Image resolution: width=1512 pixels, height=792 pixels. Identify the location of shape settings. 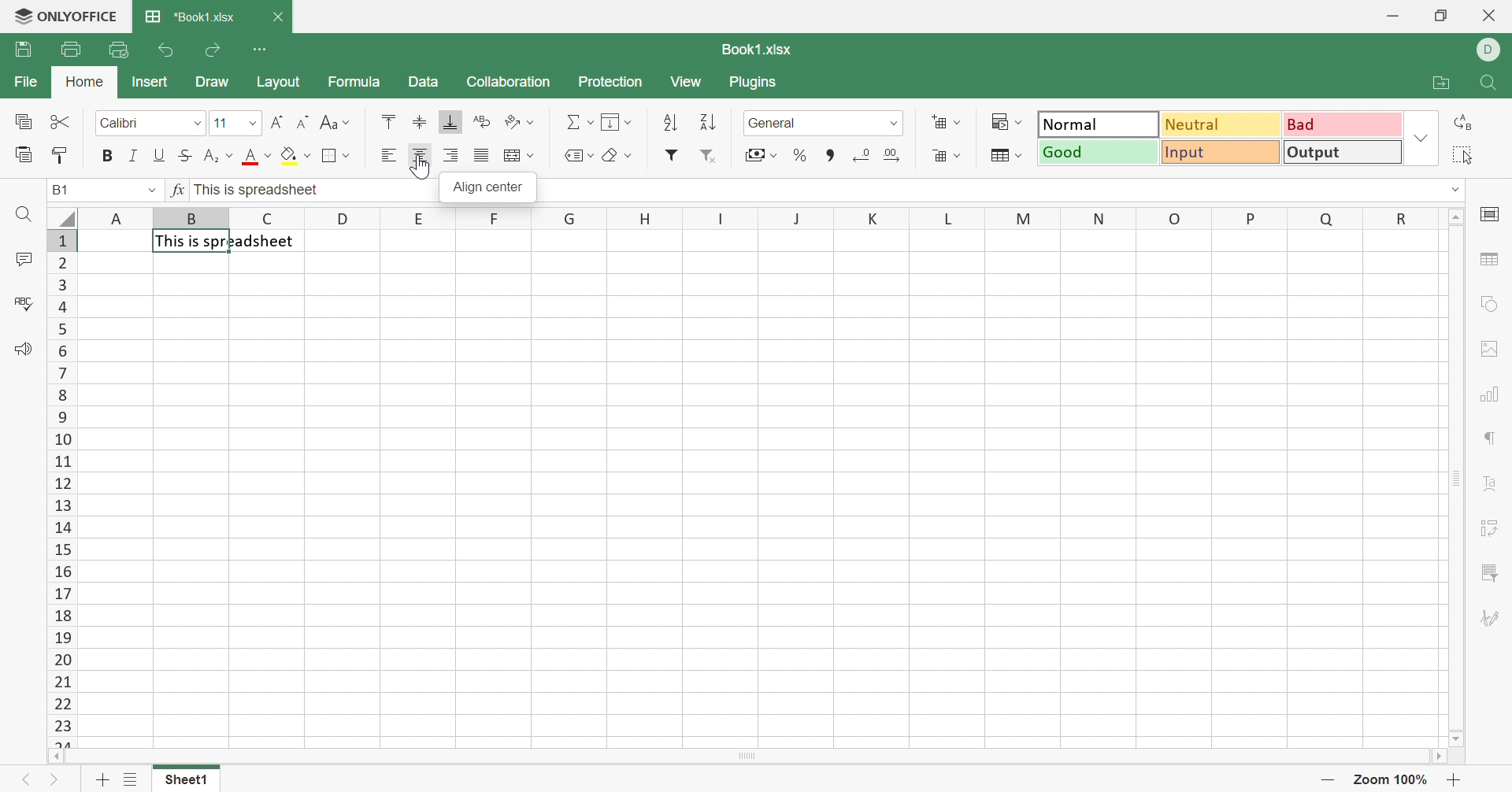
(1491, 304).